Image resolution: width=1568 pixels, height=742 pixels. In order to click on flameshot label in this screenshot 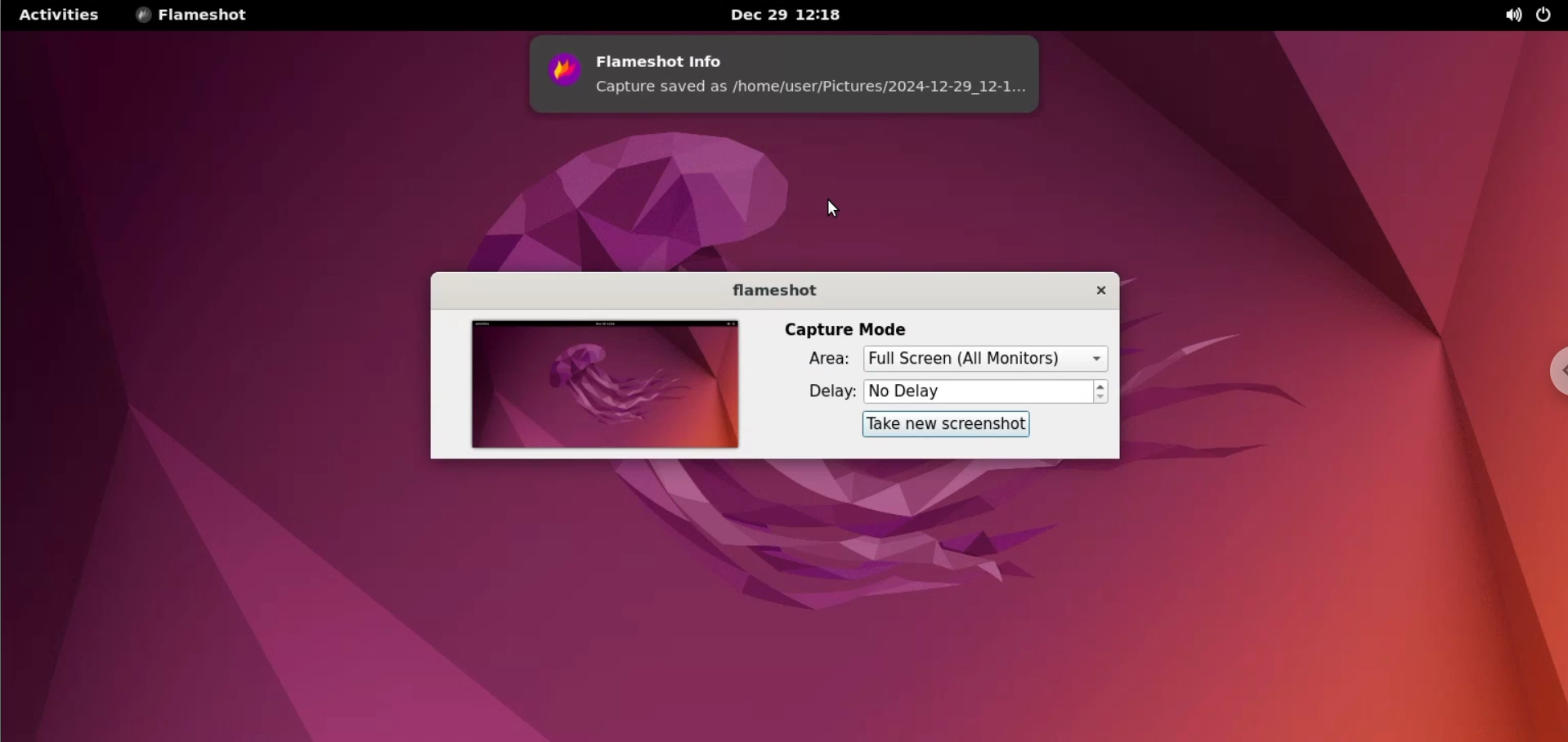, I will do `click(773, 293)`.